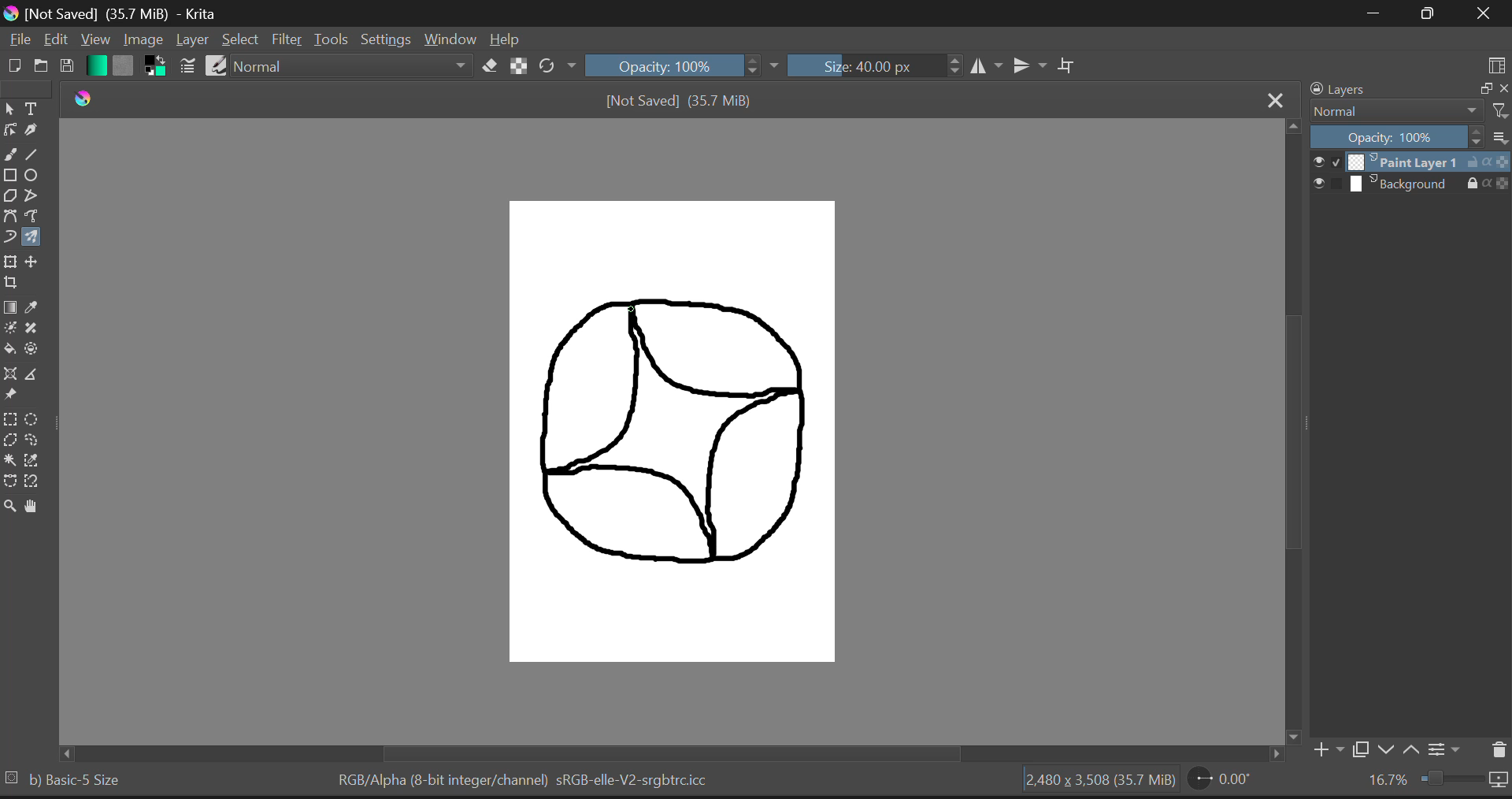 Image resolution: width=1512 pixels, height=799 pixels. Describe the element at coordinates (11, 282) in the screenshot. I see `Crop Layer` at that location.